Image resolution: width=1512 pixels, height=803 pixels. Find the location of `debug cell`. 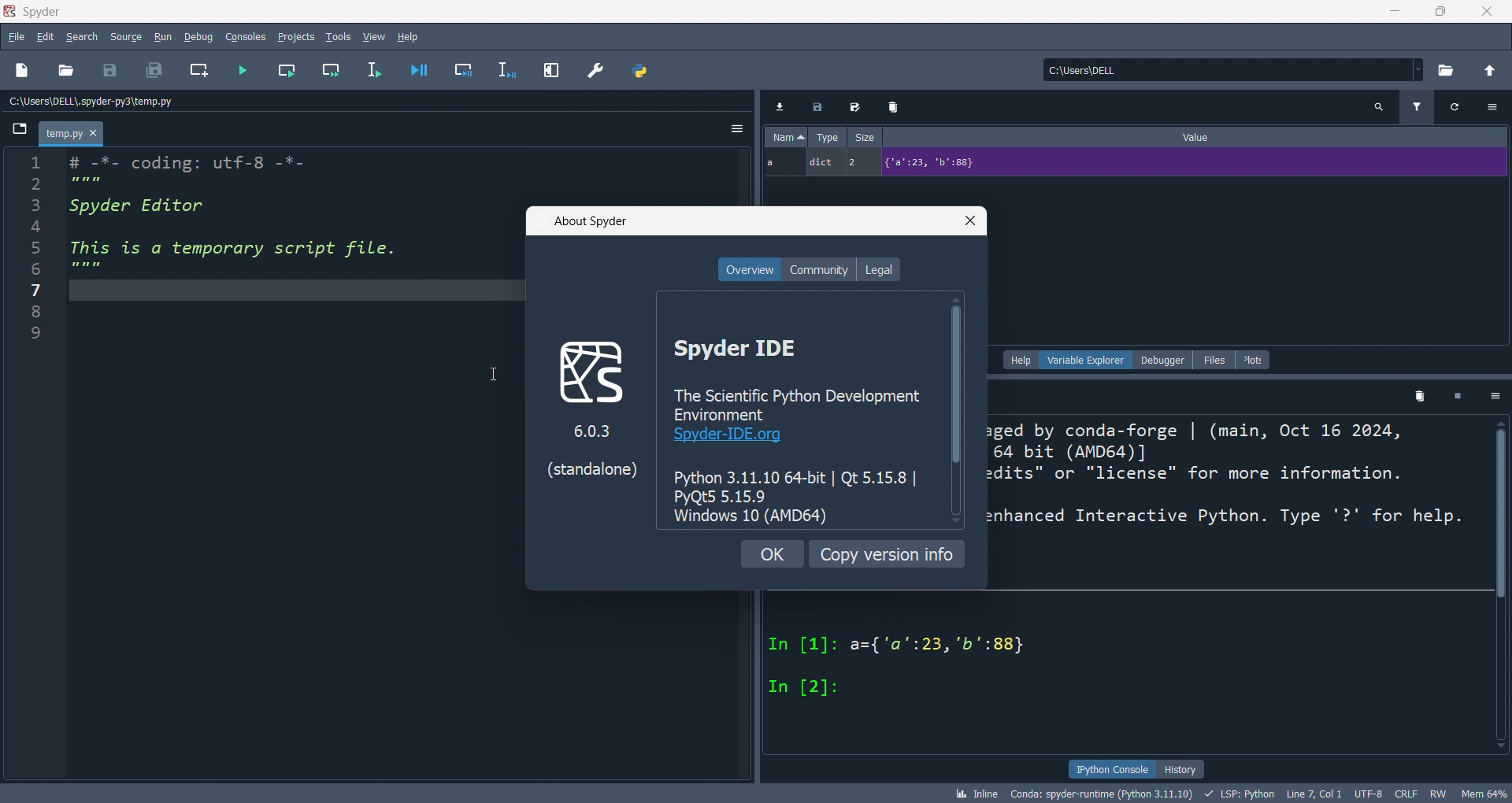

debug cell is located at coordinates (462, 69).